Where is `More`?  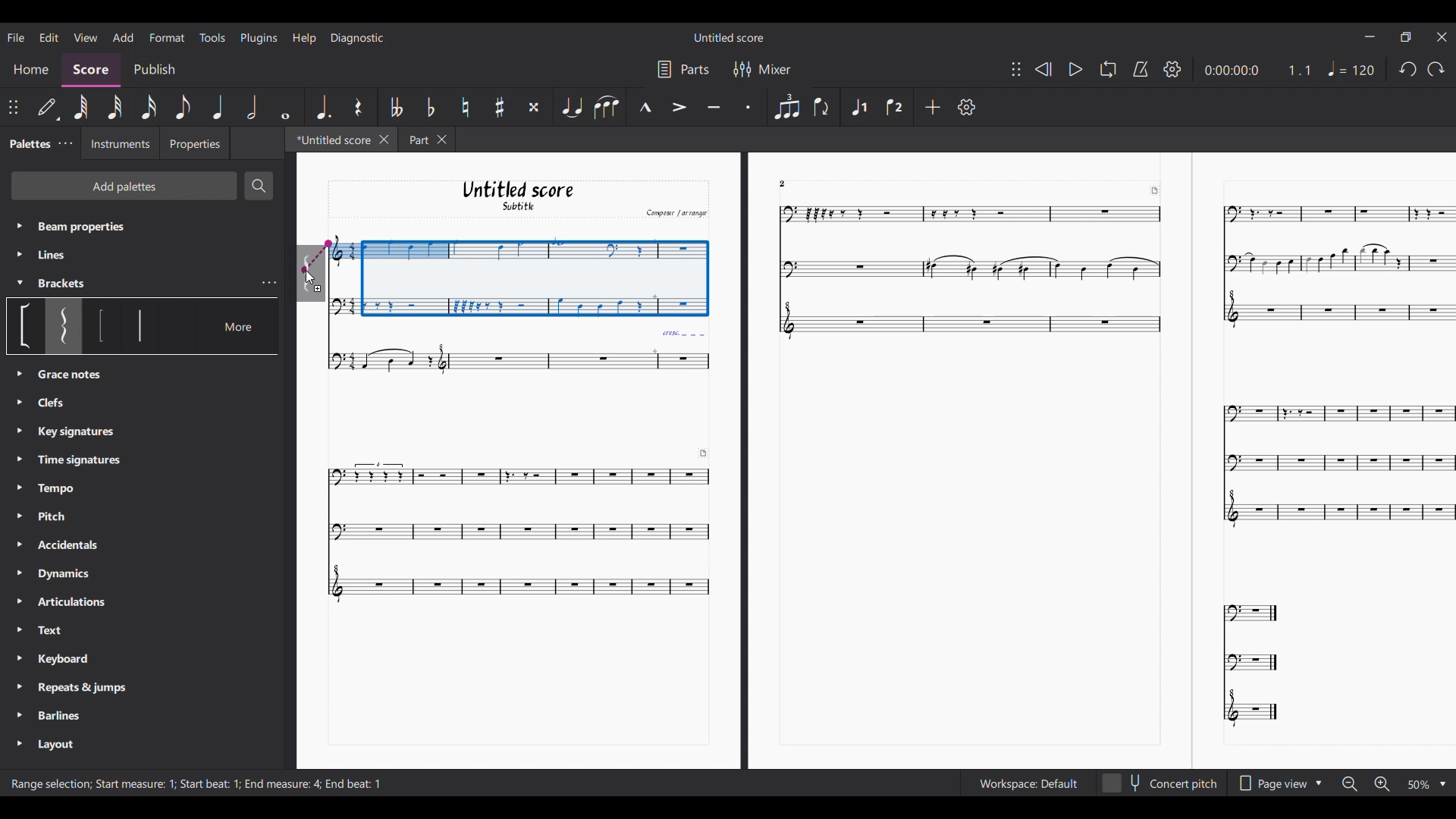
More is located at coordinates (241, 325).